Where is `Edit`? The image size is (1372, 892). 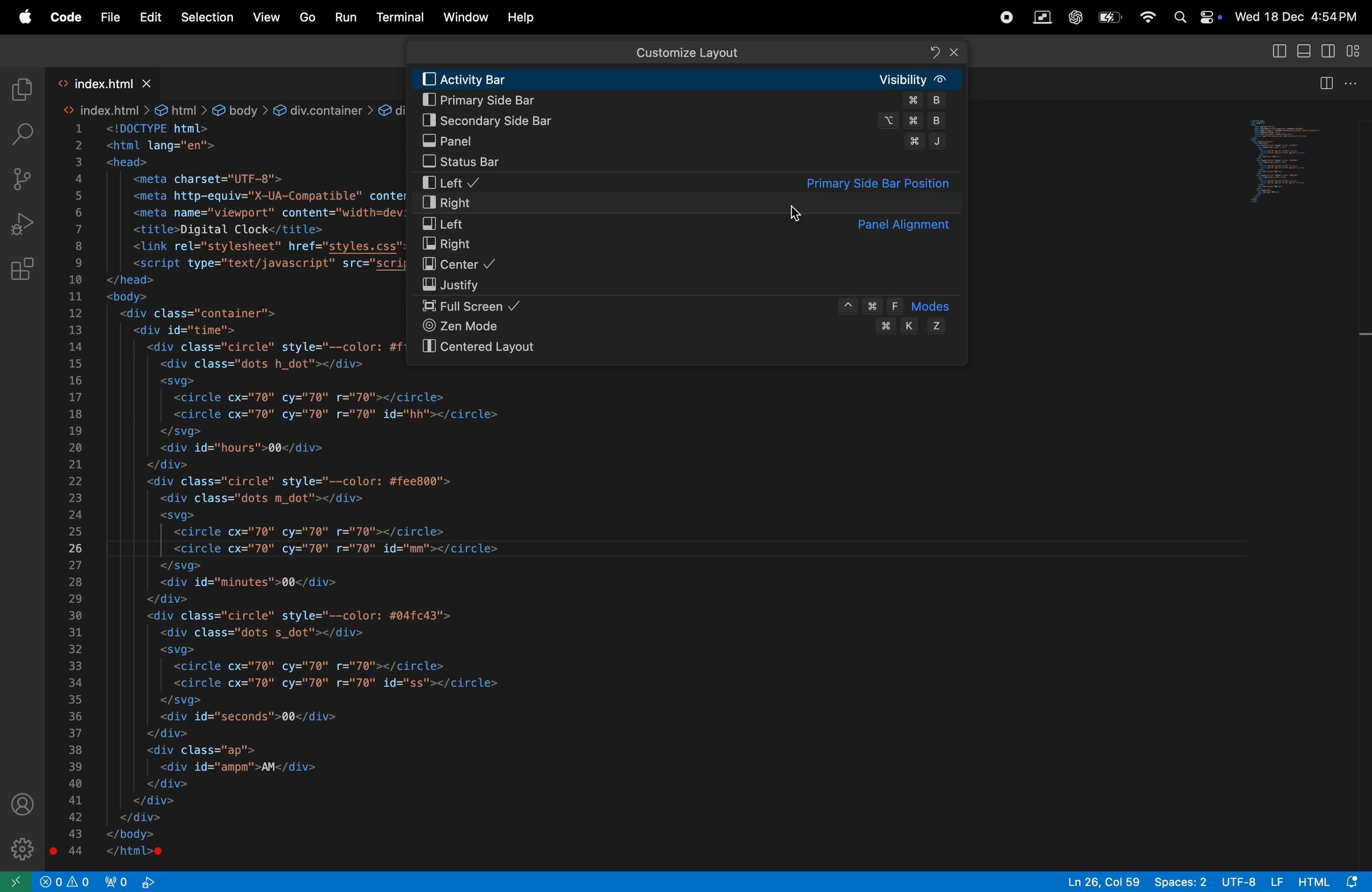
Edit is located at coordinates (150, 18).